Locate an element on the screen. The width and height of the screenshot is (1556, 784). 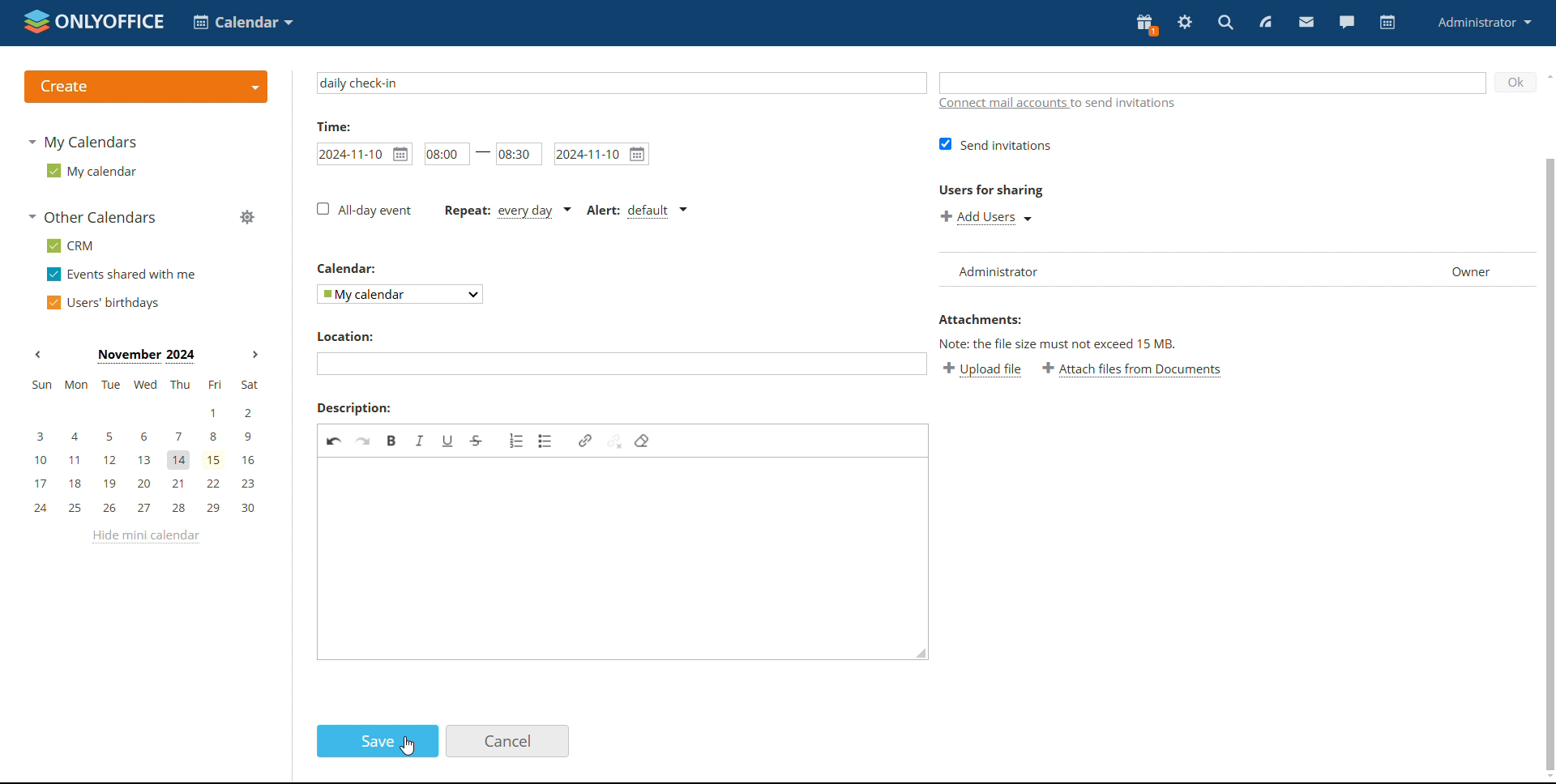
underline is located at coordinates (446, 441).